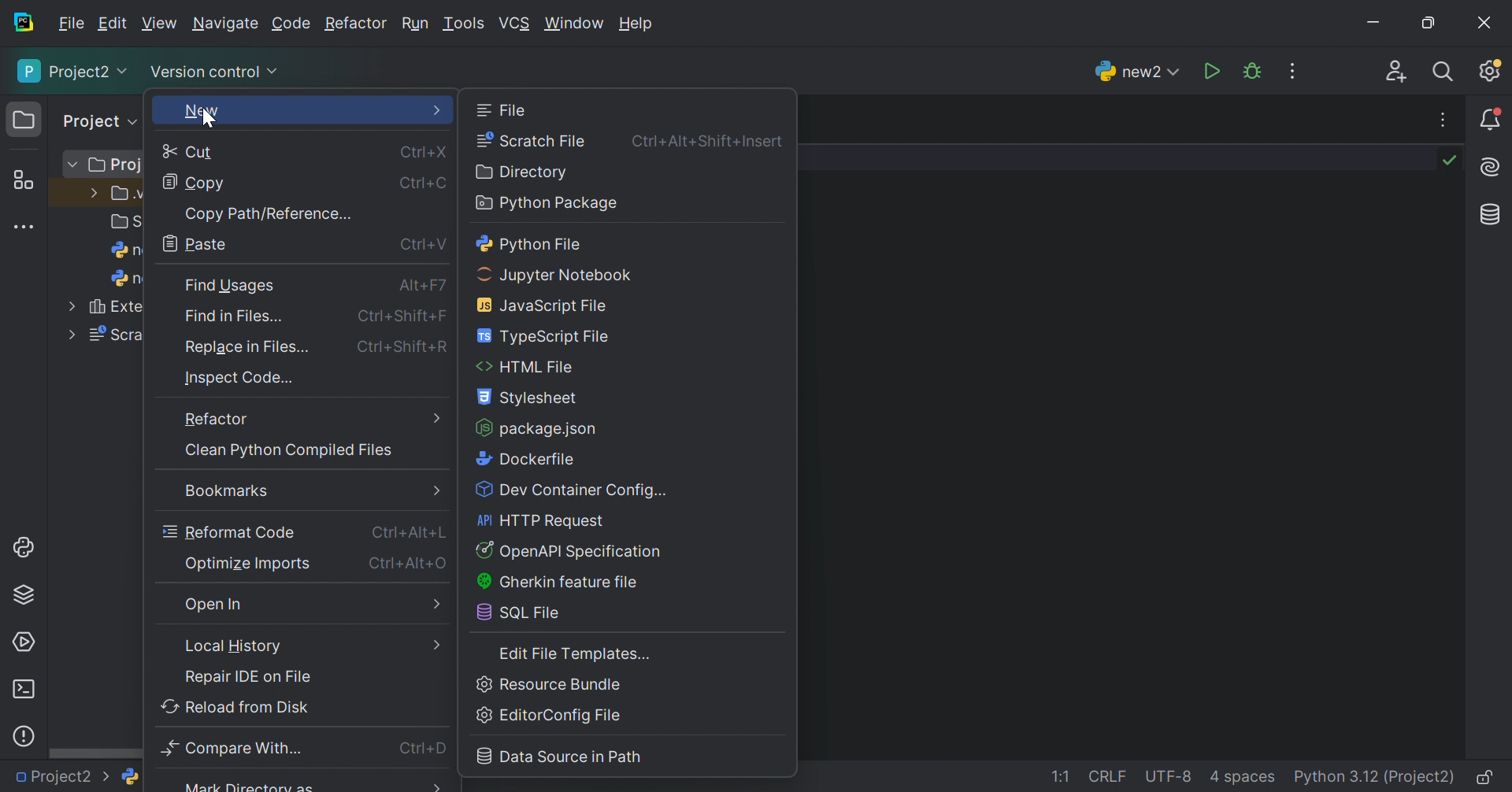 The image size is (1512, 792). I want to click on Ctrl+Alt+L, so click(409, 534).